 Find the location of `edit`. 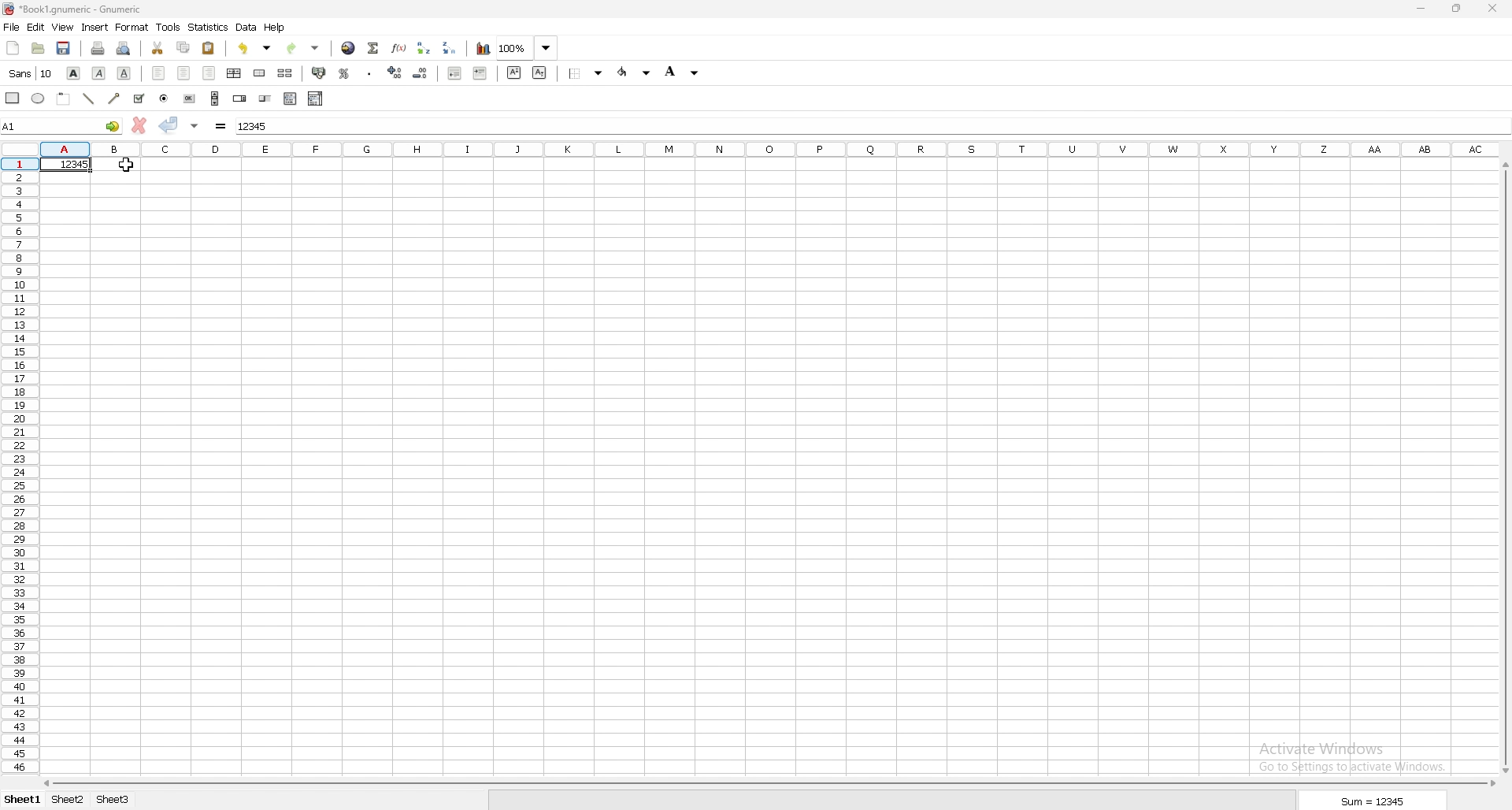

edit is located at coordinates (35, 27).